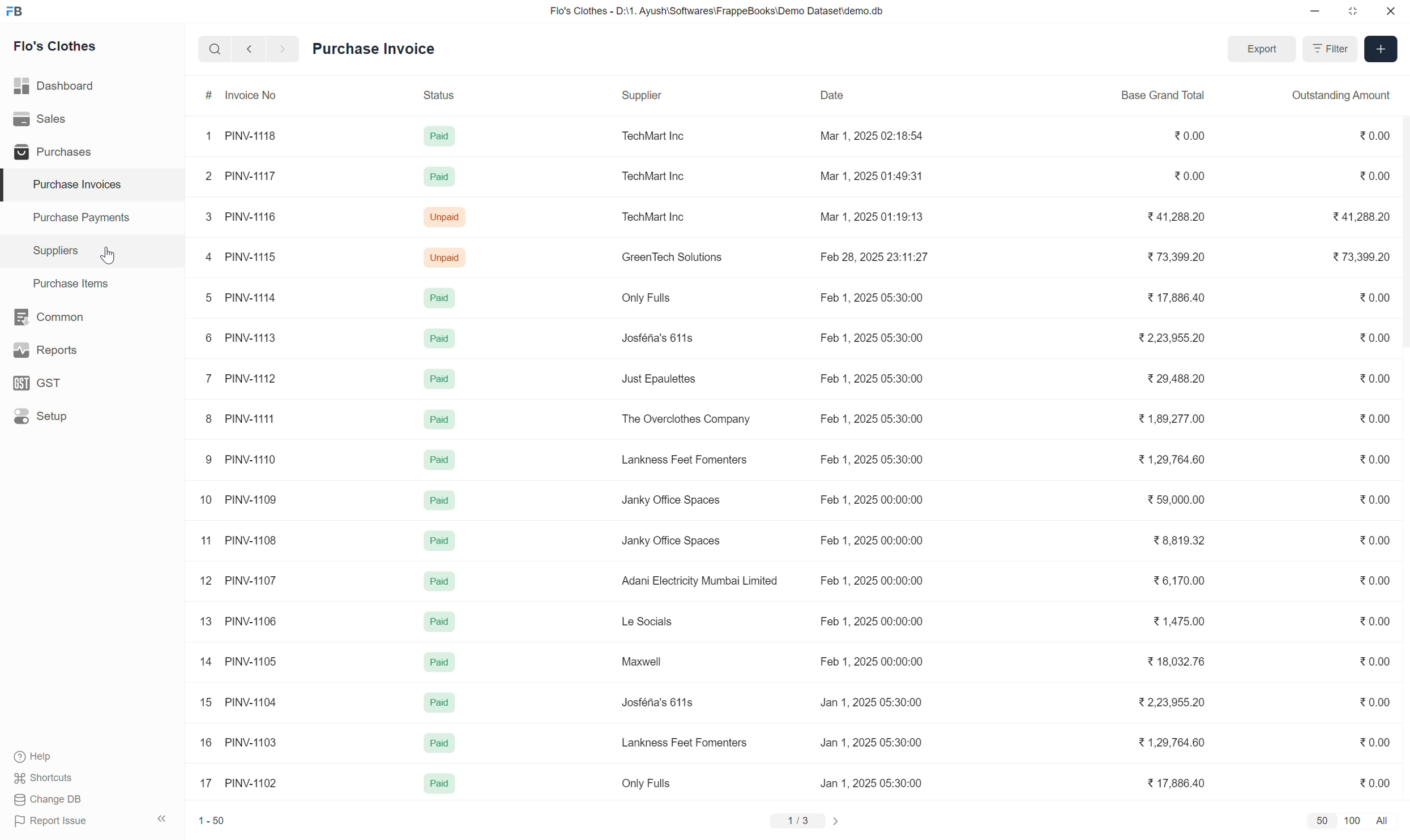 The image size is (1410, 840). What do you see at coordinates (279, 48) in the screenshot?
I see `forward` at bounding box center [279, 48].